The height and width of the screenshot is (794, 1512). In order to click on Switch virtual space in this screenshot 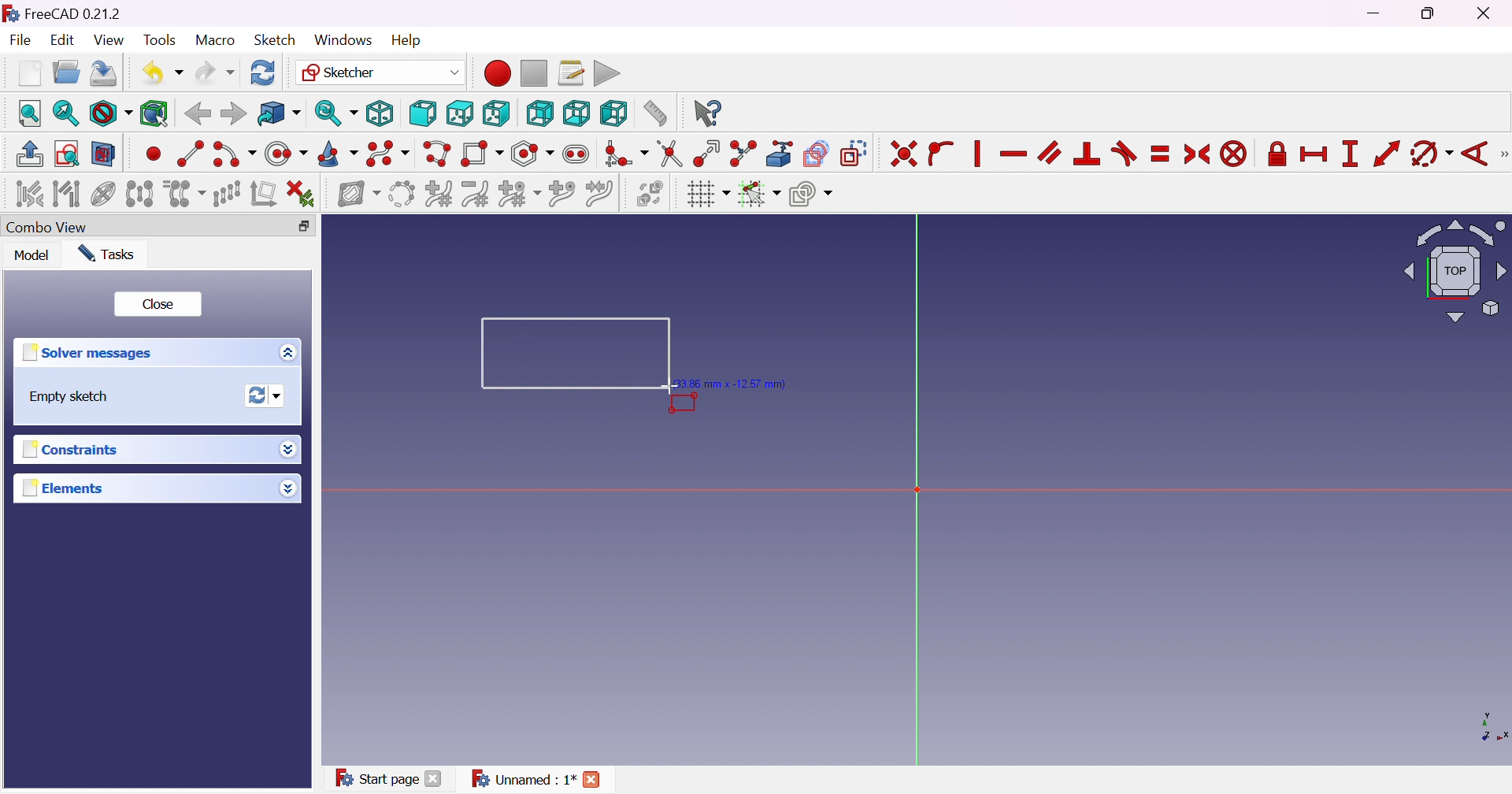, I will do `click(653, 195)`.